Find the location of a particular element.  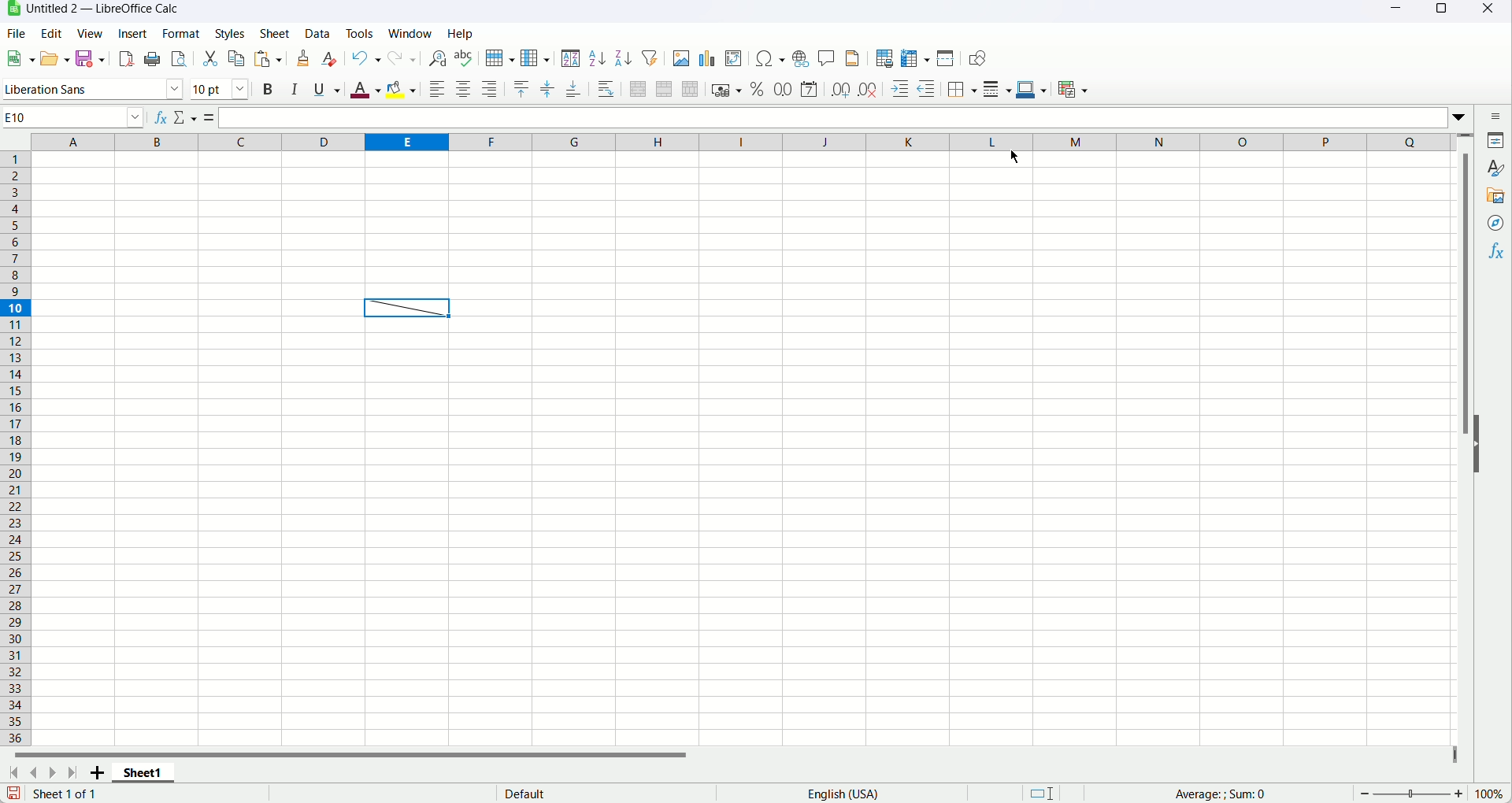

Format as currency is located at coordinates (727, 90).